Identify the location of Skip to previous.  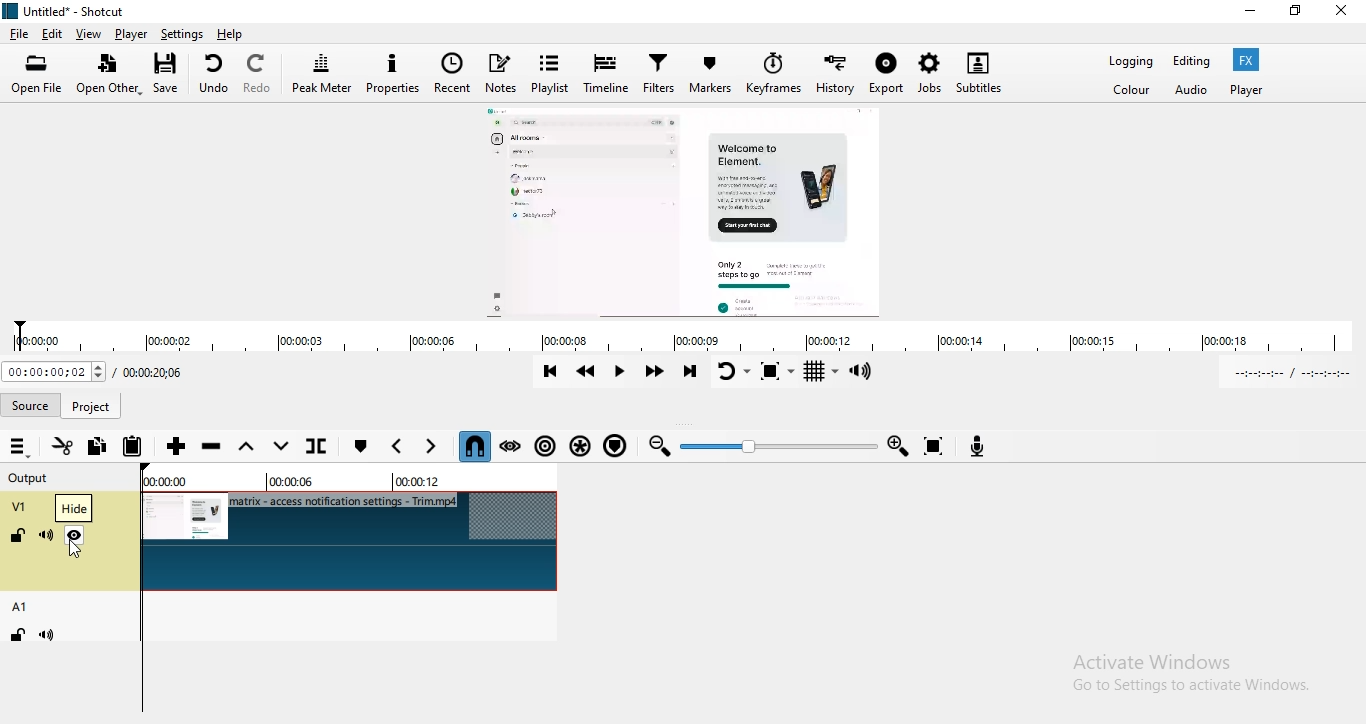
(550, 371).